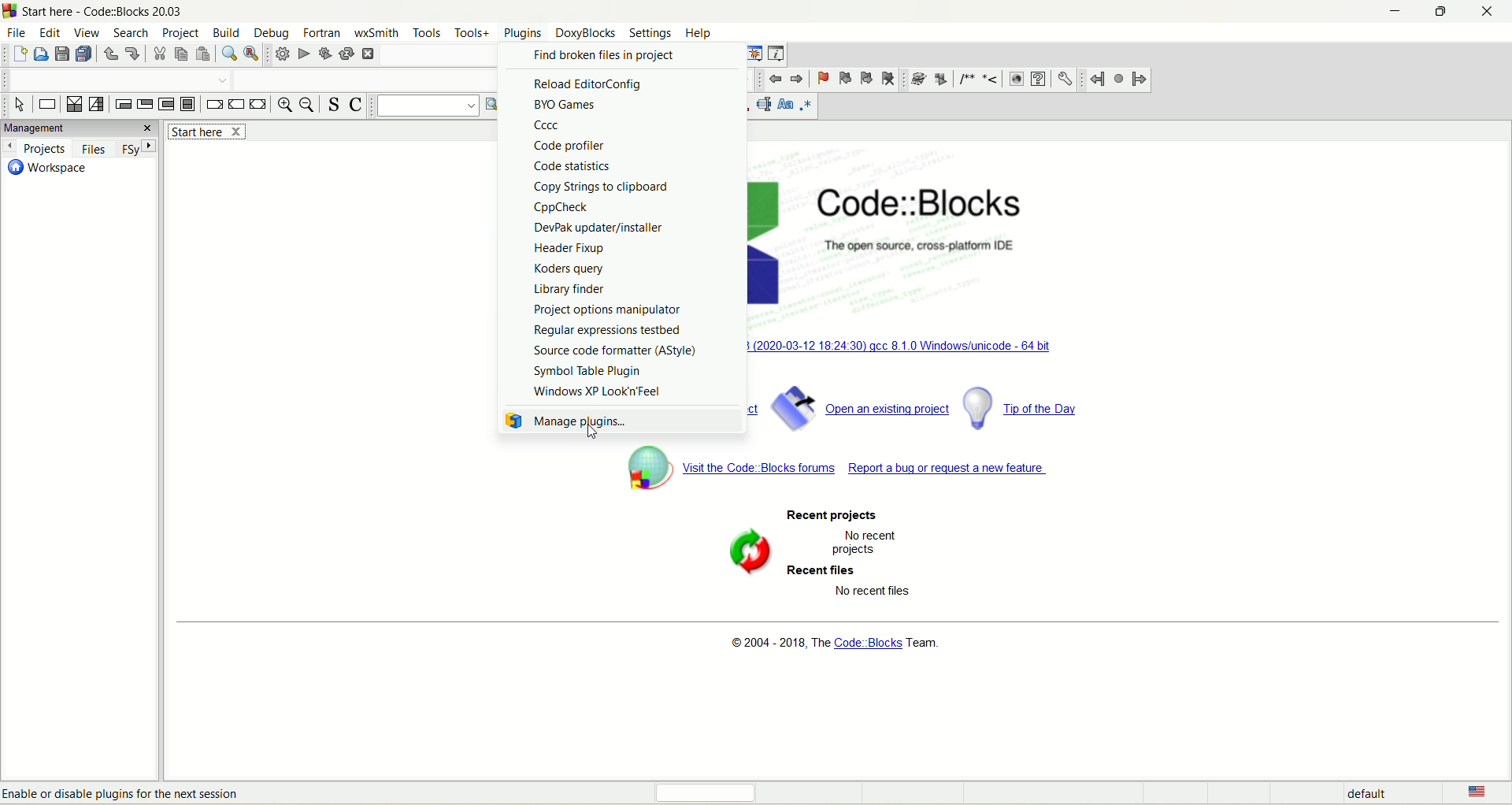 This screenshot has width=1512, height=805. Describe the element at coordinates (182, 32) in the screenshot. I see `project` at that location.